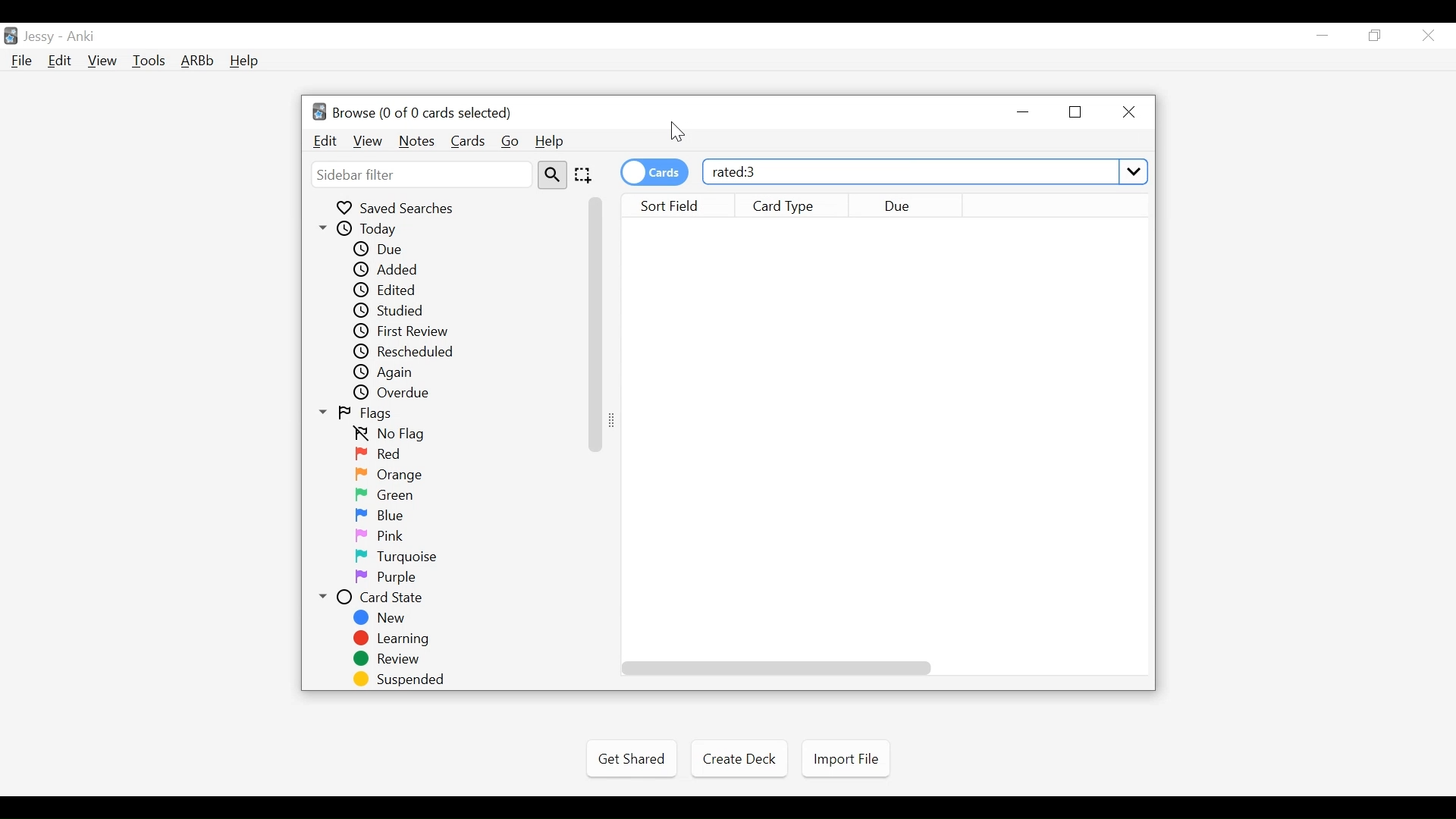 The width and height of the screenshot is (1456, 819). What do you see at coordinates (923, 170) in the screenshot?
I see `rated:3` at bounding box center [923, 170].